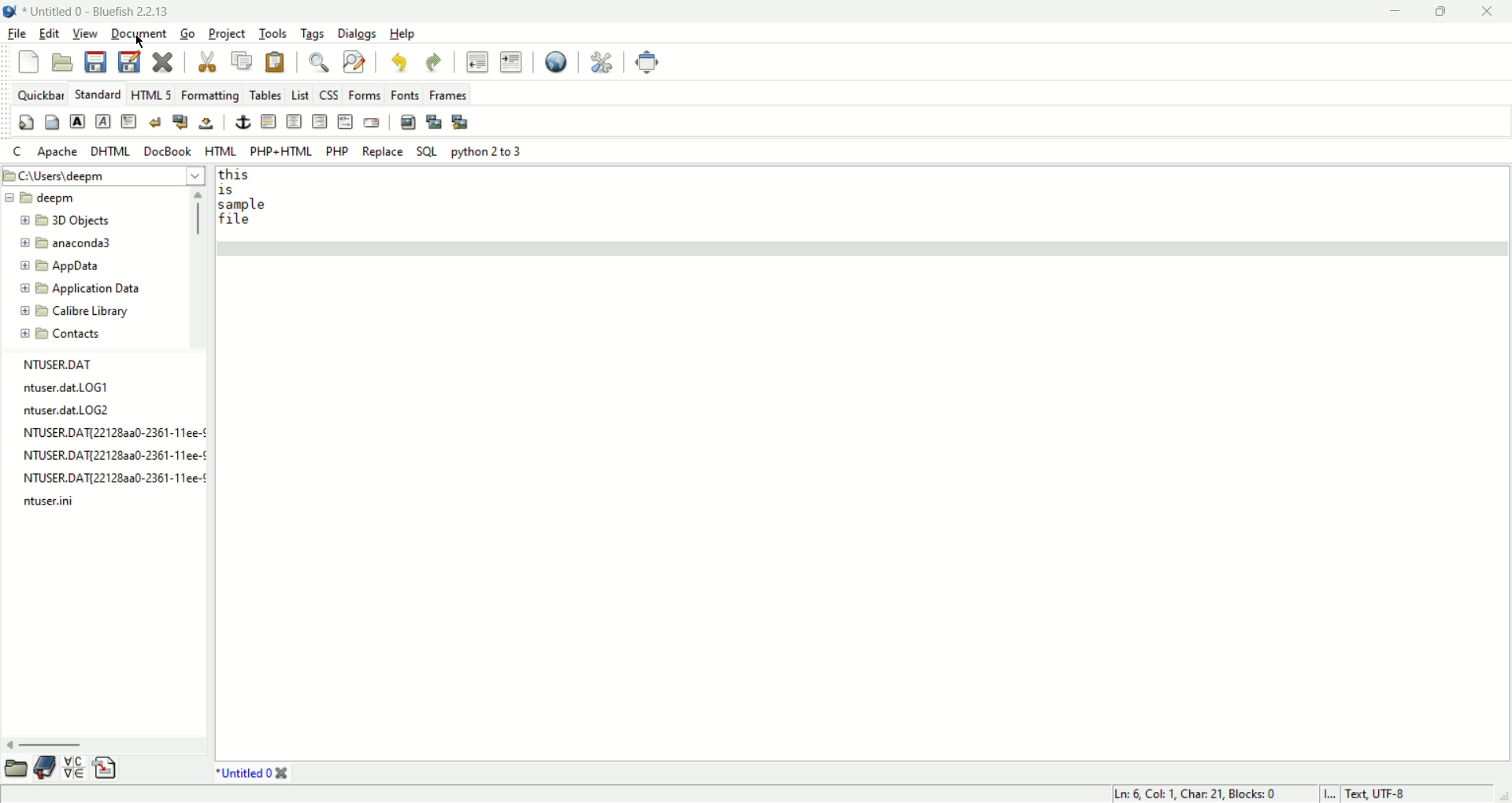 The image size is (1512, 803). Describe the element at coordinates (435, 62) in the screenshot. I see `redo` at that location.